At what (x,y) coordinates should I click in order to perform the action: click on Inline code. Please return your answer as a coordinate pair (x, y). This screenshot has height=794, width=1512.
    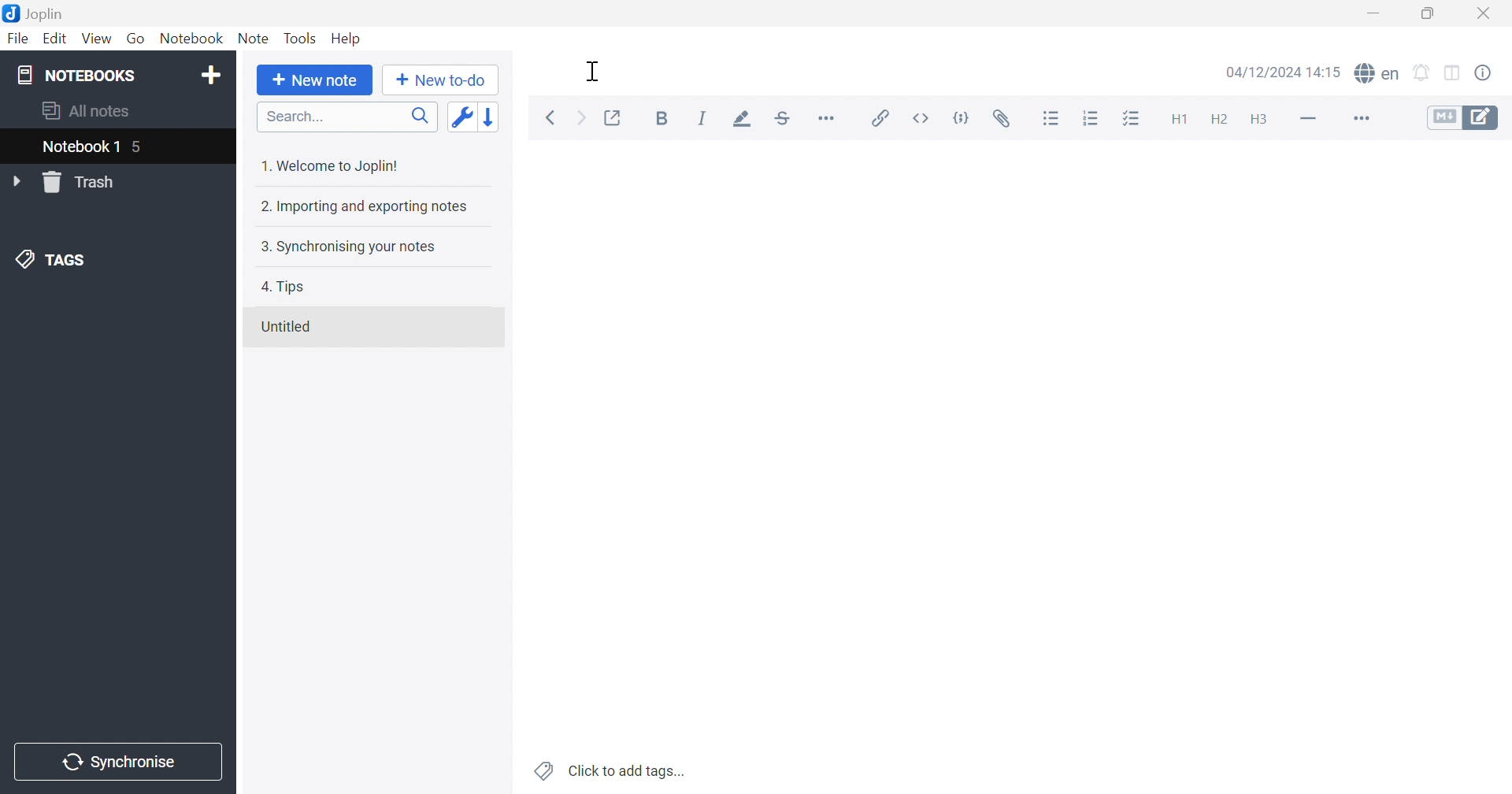
    Looking at the image, I should click on (924, 118).